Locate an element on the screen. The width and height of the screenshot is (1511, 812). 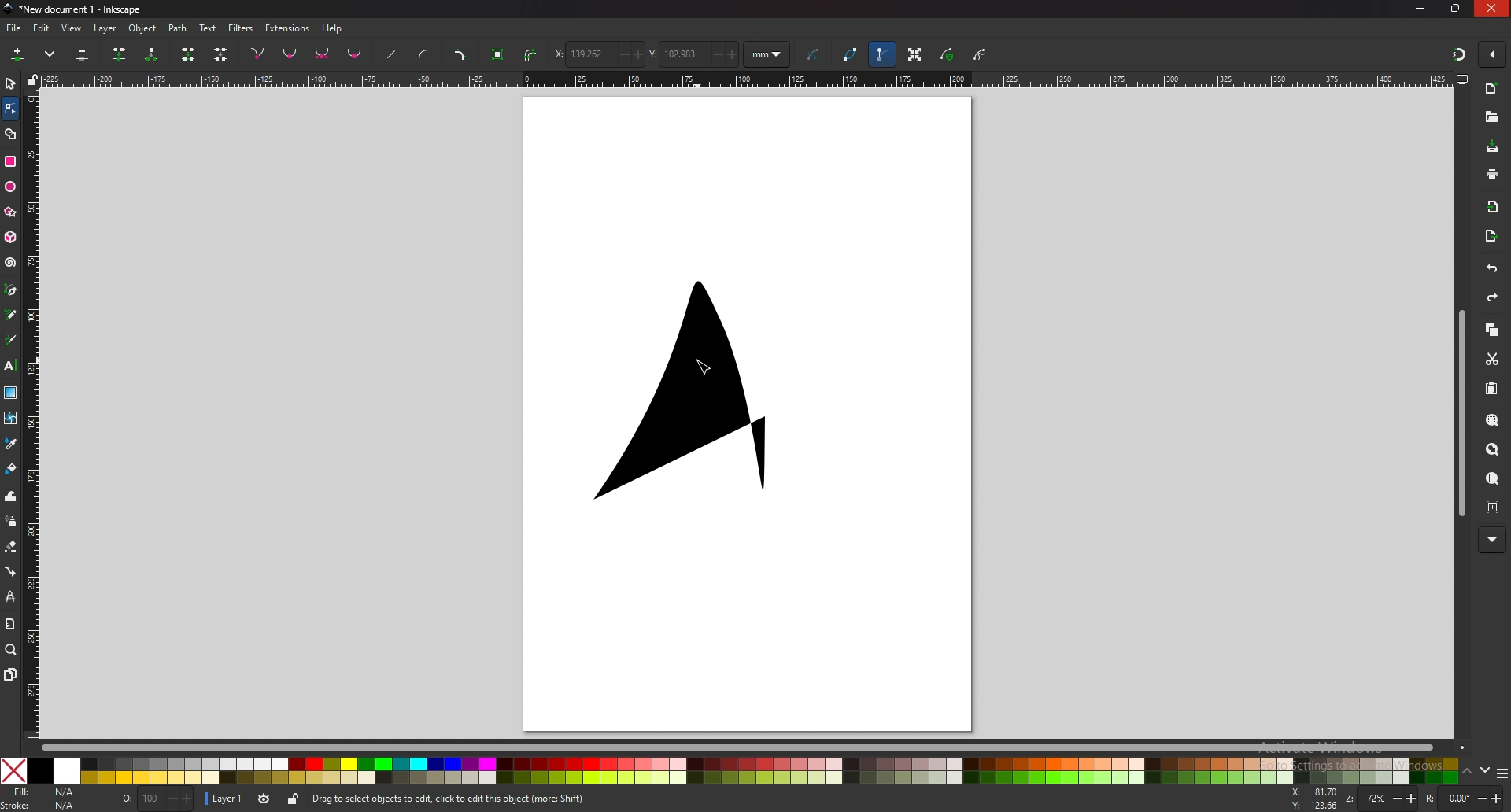
y coordinate is located at coordinates (694, 53).